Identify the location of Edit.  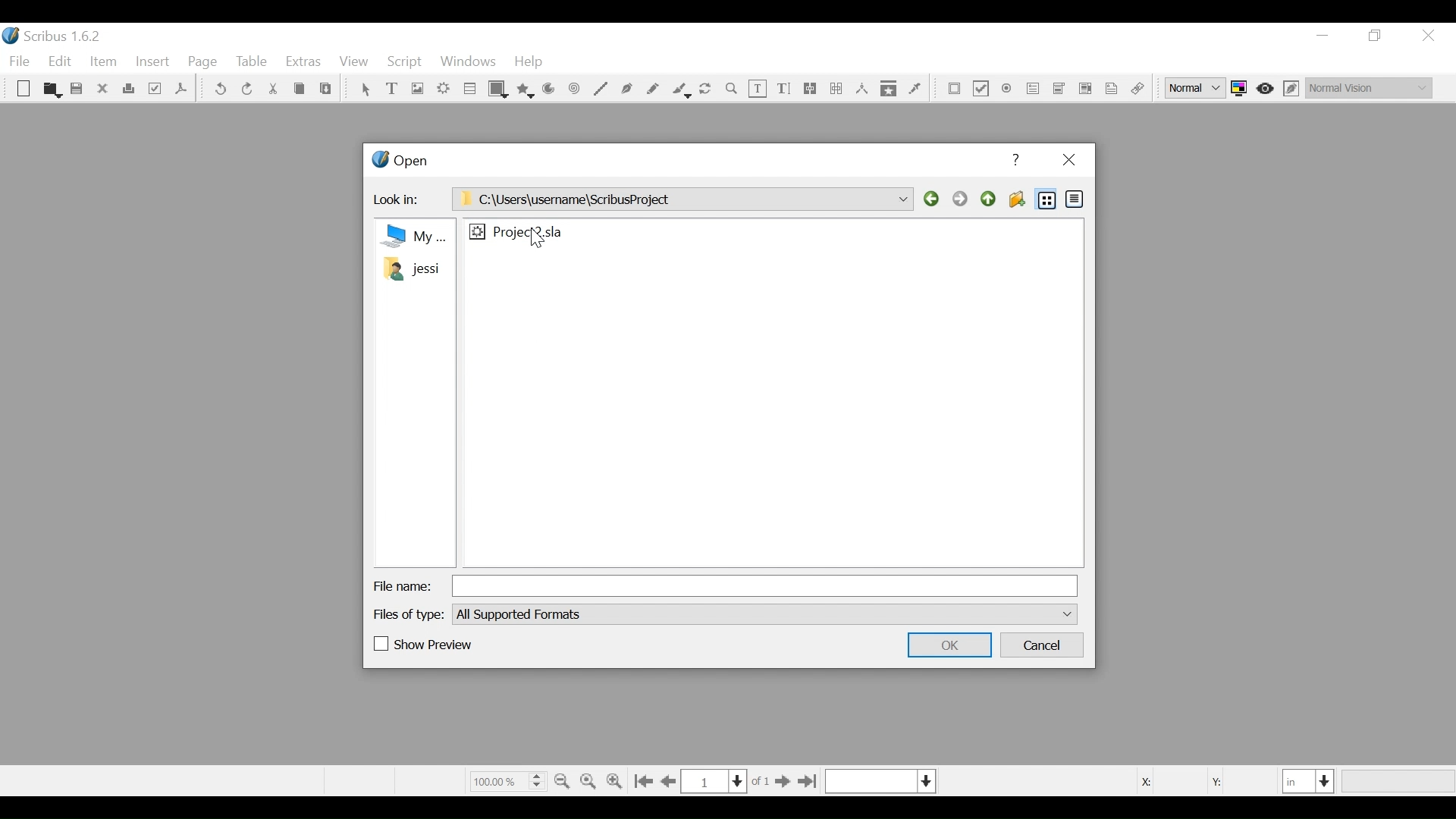
(61, 62).